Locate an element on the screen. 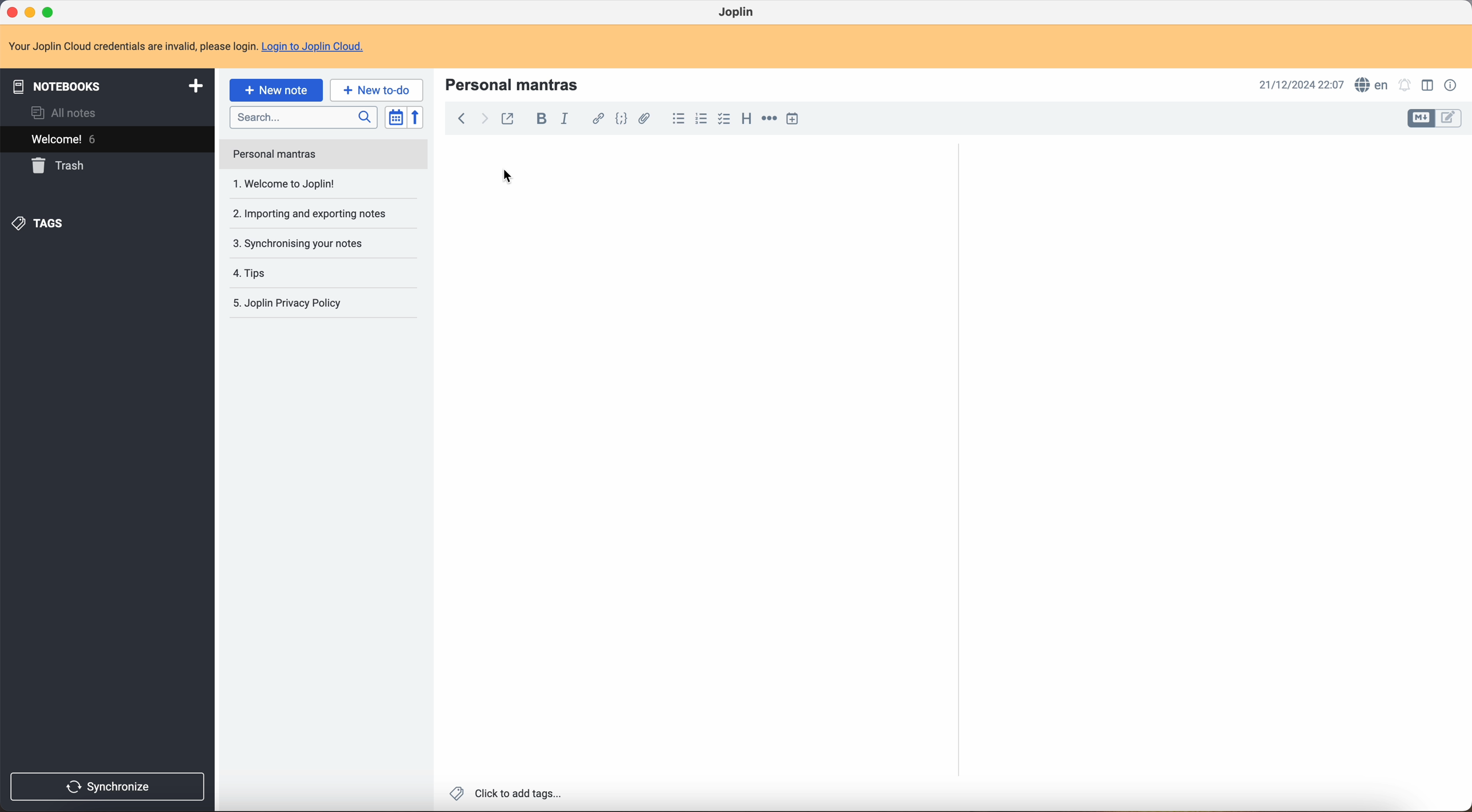 The height and width of the screenshot is (812, 1472). set alarm is located at coordinates (1406, 85).